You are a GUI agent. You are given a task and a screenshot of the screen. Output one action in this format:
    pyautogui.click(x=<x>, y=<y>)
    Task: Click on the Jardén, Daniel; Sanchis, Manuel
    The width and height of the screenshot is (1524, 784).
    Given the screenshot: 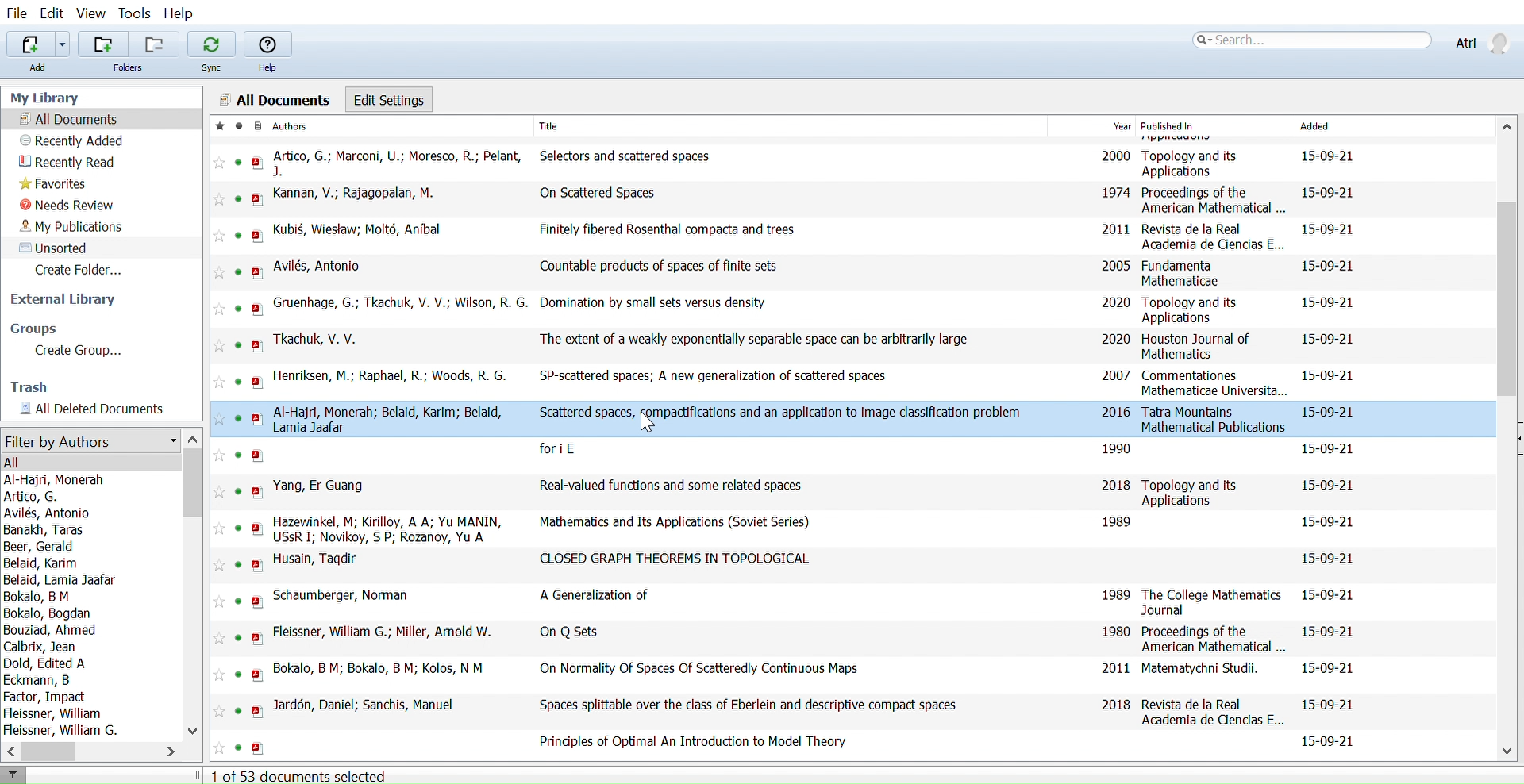 What is the action you would take?
    pyautogui.click(x=363, y=705)
    